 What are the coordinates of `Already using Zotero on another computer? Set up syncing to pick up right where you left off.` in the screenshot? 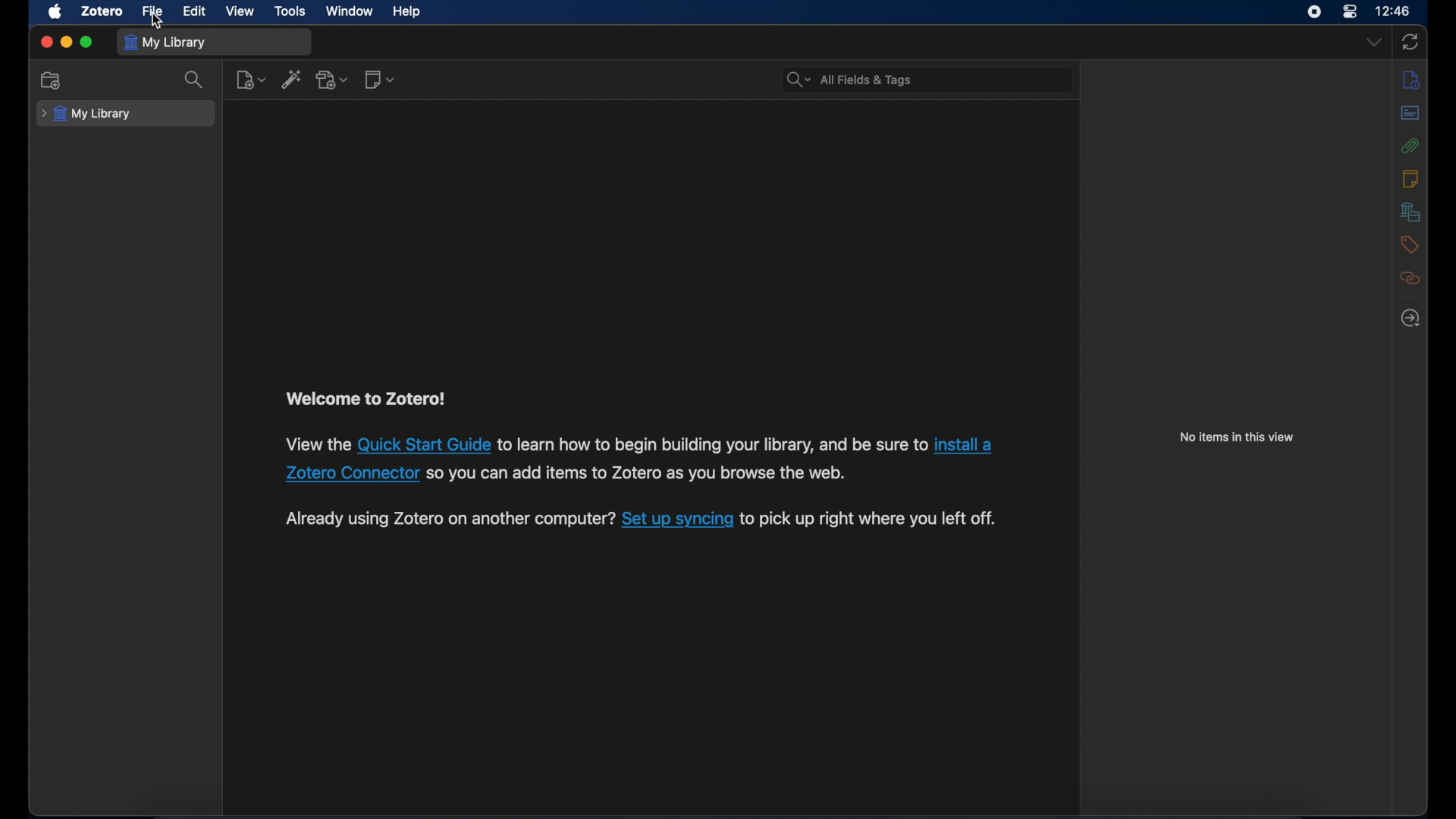 It's located at (640, 520).